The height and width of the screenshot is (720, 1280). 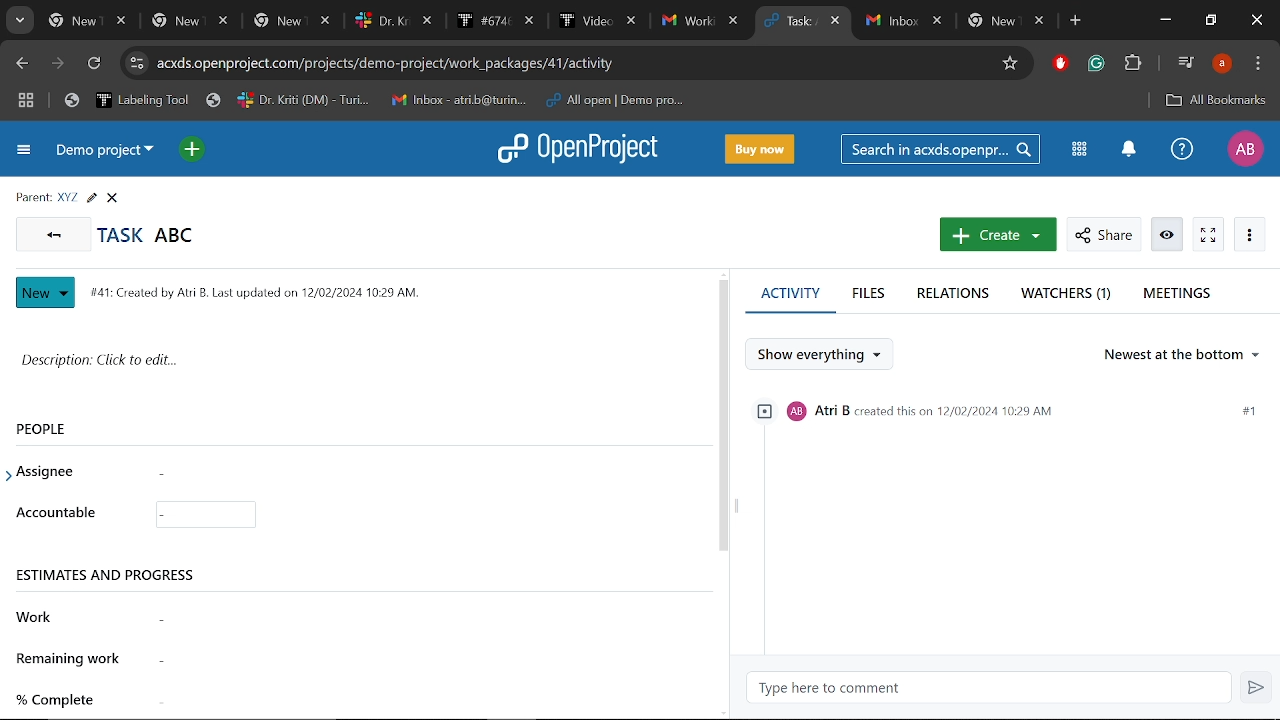 What do you see at coordinates (1221, 65) in the screenshot?
I see `Profile` at bounding box center [1221, 65].